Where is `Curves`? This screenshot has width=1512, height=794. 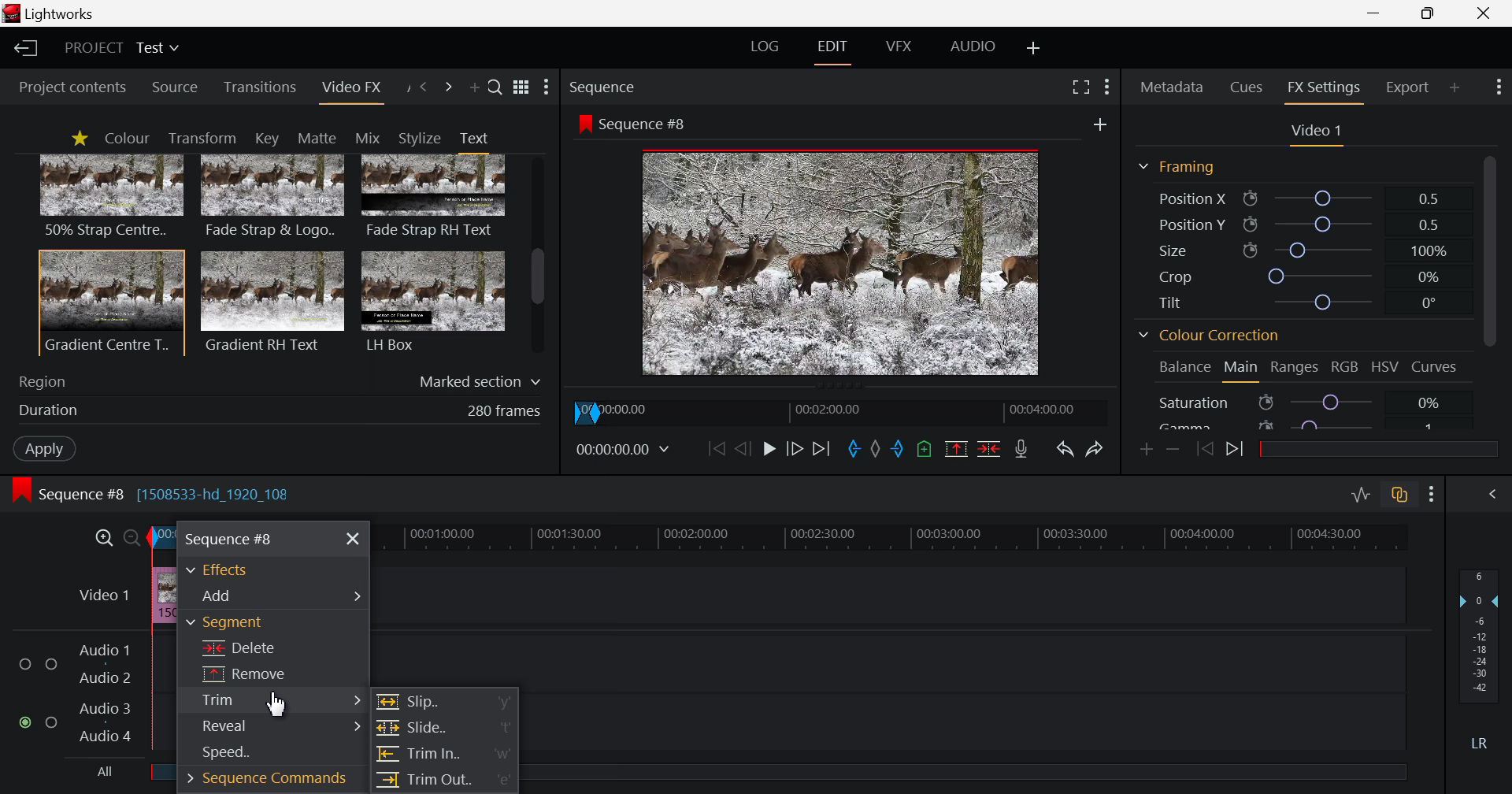 Curves is located at coordinates (1437, 365).